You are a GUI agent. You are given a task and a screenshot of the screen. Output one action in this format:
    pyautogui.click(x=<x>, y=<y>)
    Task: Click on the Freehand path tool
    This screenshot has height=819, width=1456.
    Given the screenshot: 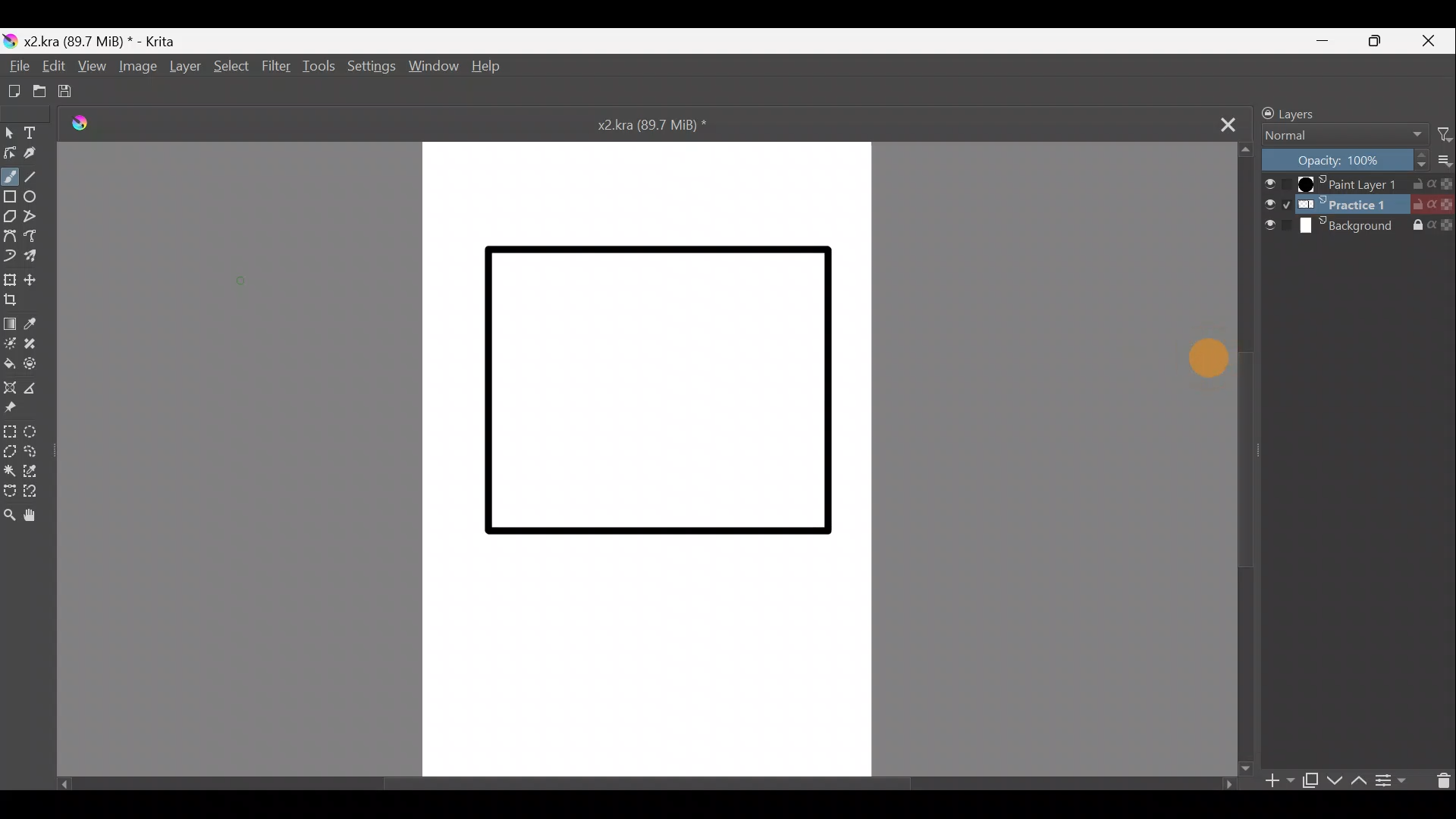 What is the action you would take?
    pyautogui.click(x=33, y=237)
    